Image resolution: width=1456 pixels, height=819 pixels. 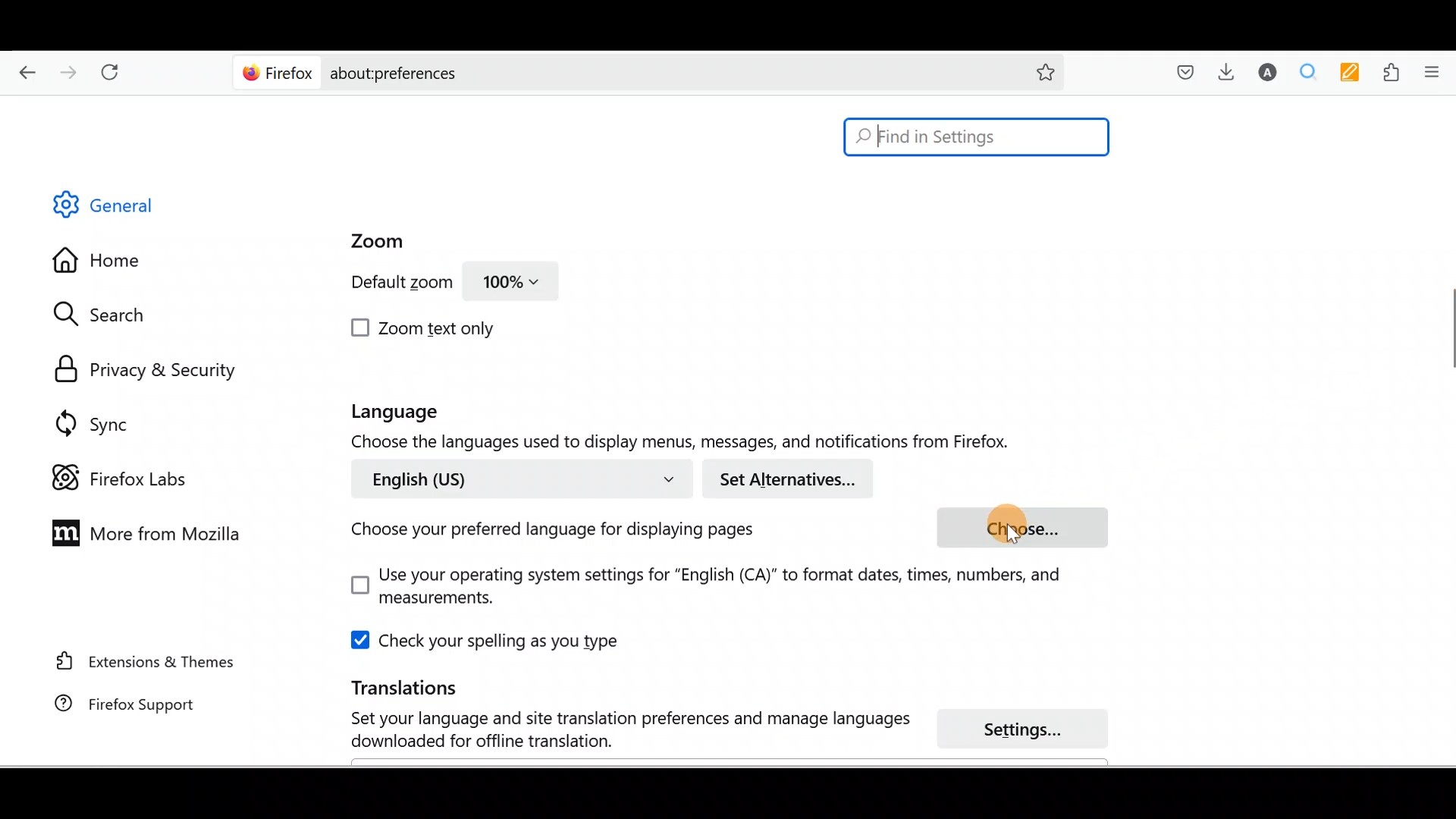 I want to click on Multi keywords highlighter, so click(x=1354, y=74).